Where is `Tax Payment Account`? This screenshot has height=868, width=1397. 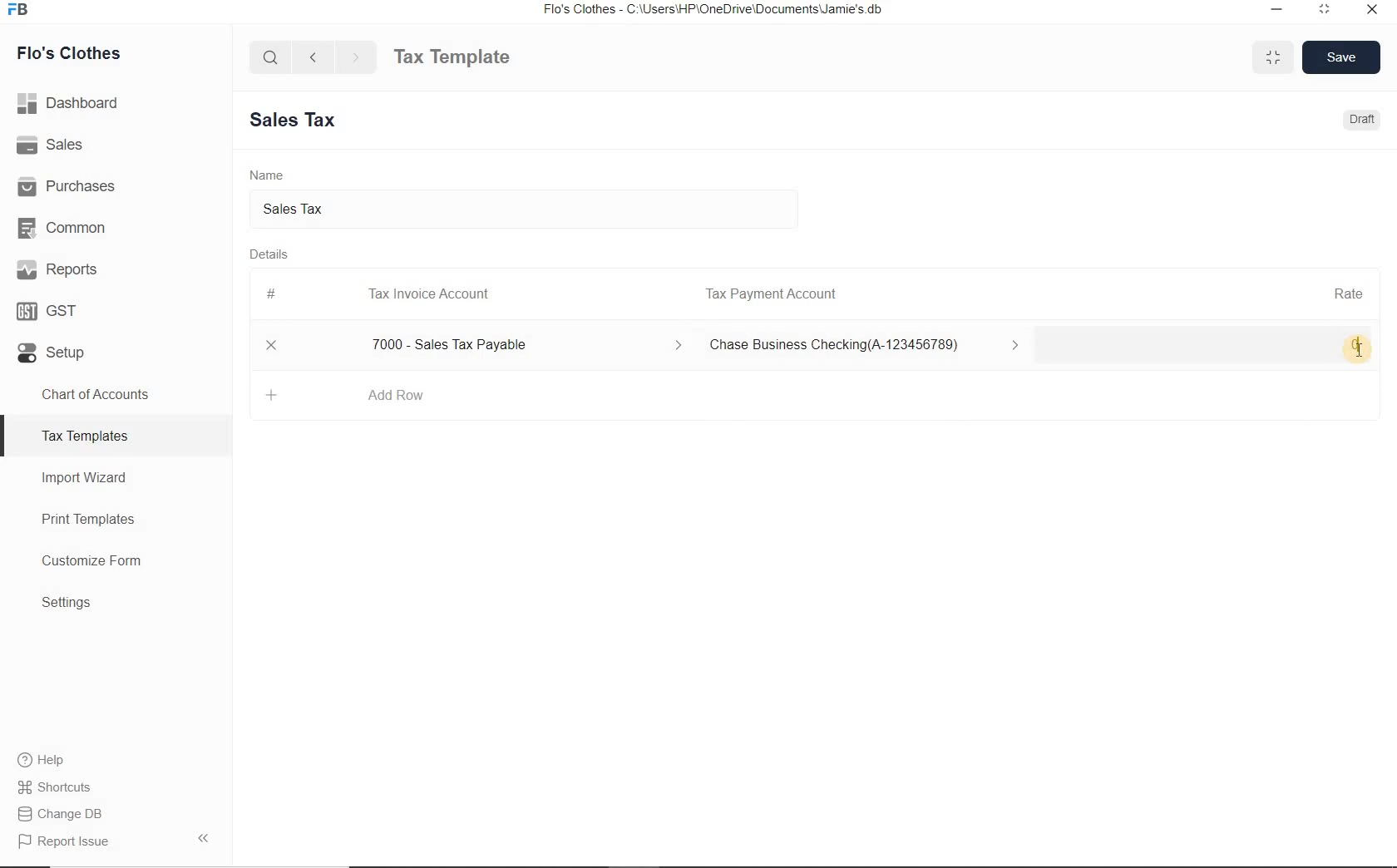 Tax Payment Account is located at coordinates (769, 294).